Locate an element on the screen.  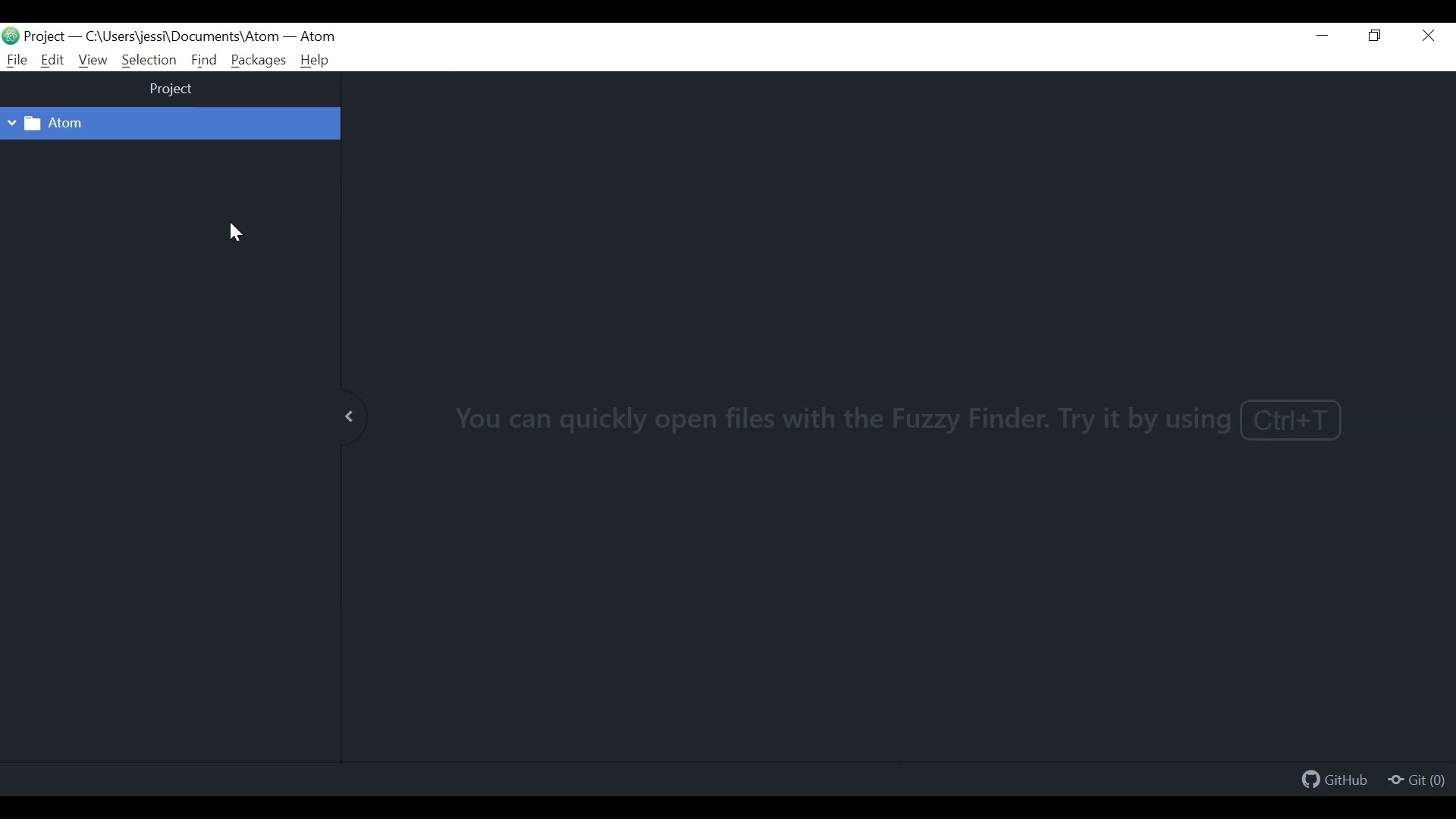
Atom Desktop Icon is located at coordinates (11, 35).